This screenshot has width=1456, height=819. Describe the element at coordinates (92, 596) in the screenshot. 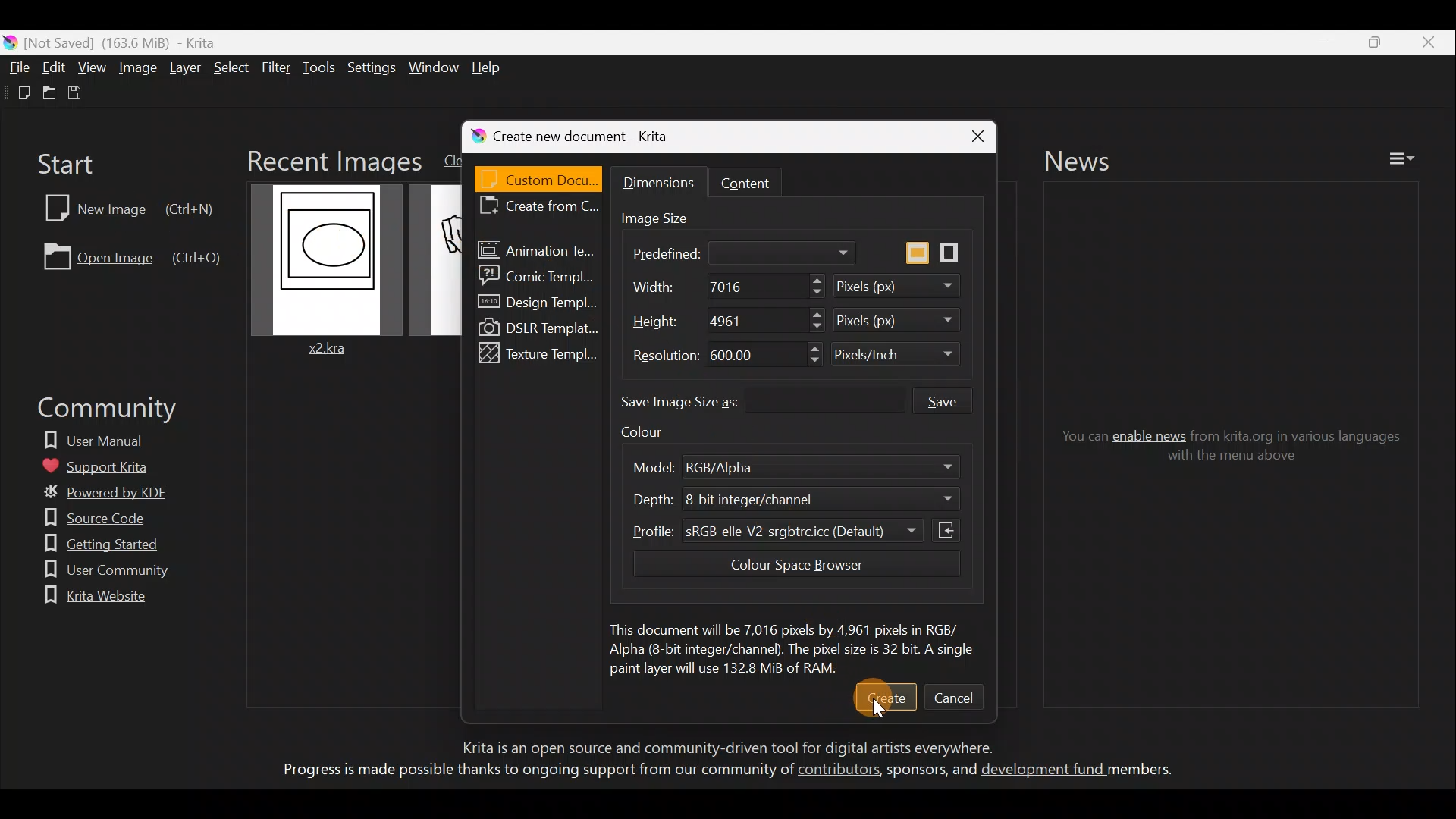

I see `Krita website` at that location.